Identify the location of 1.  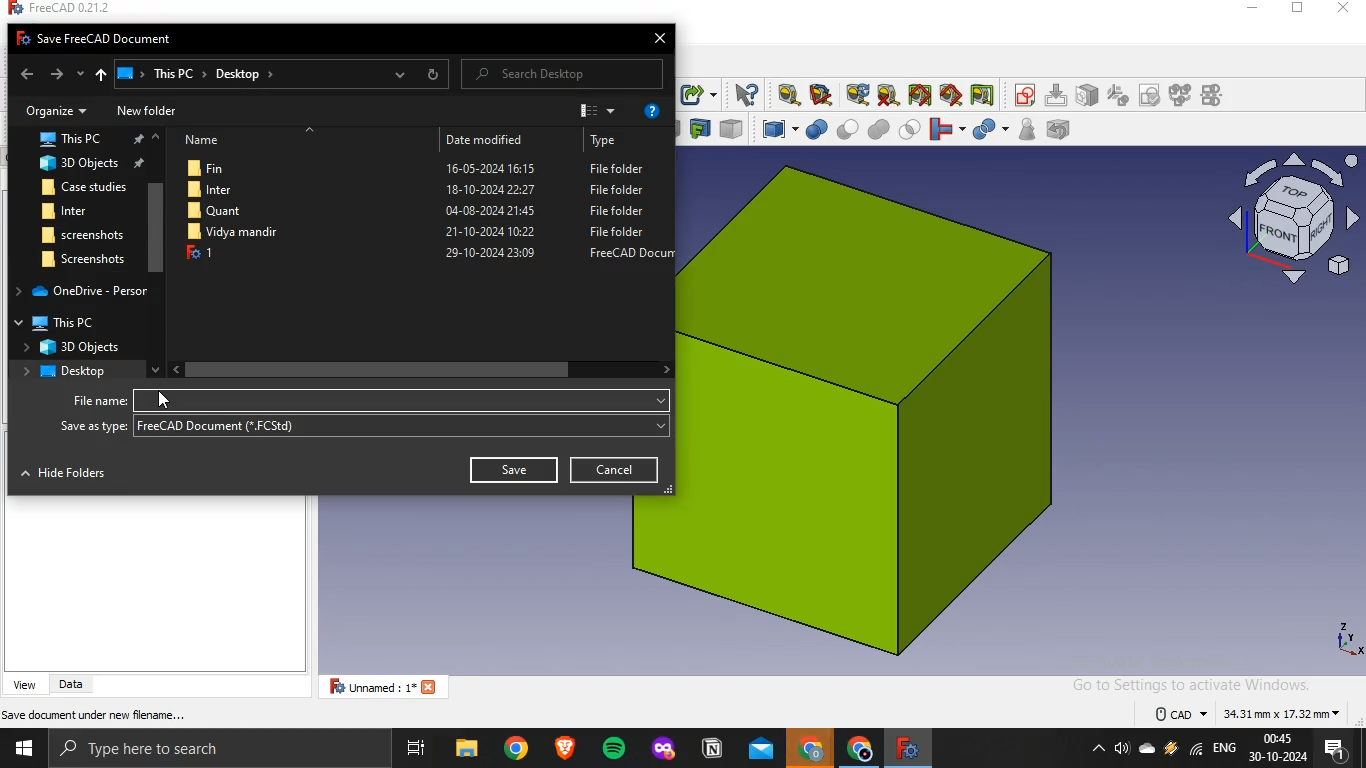
(423, 253).